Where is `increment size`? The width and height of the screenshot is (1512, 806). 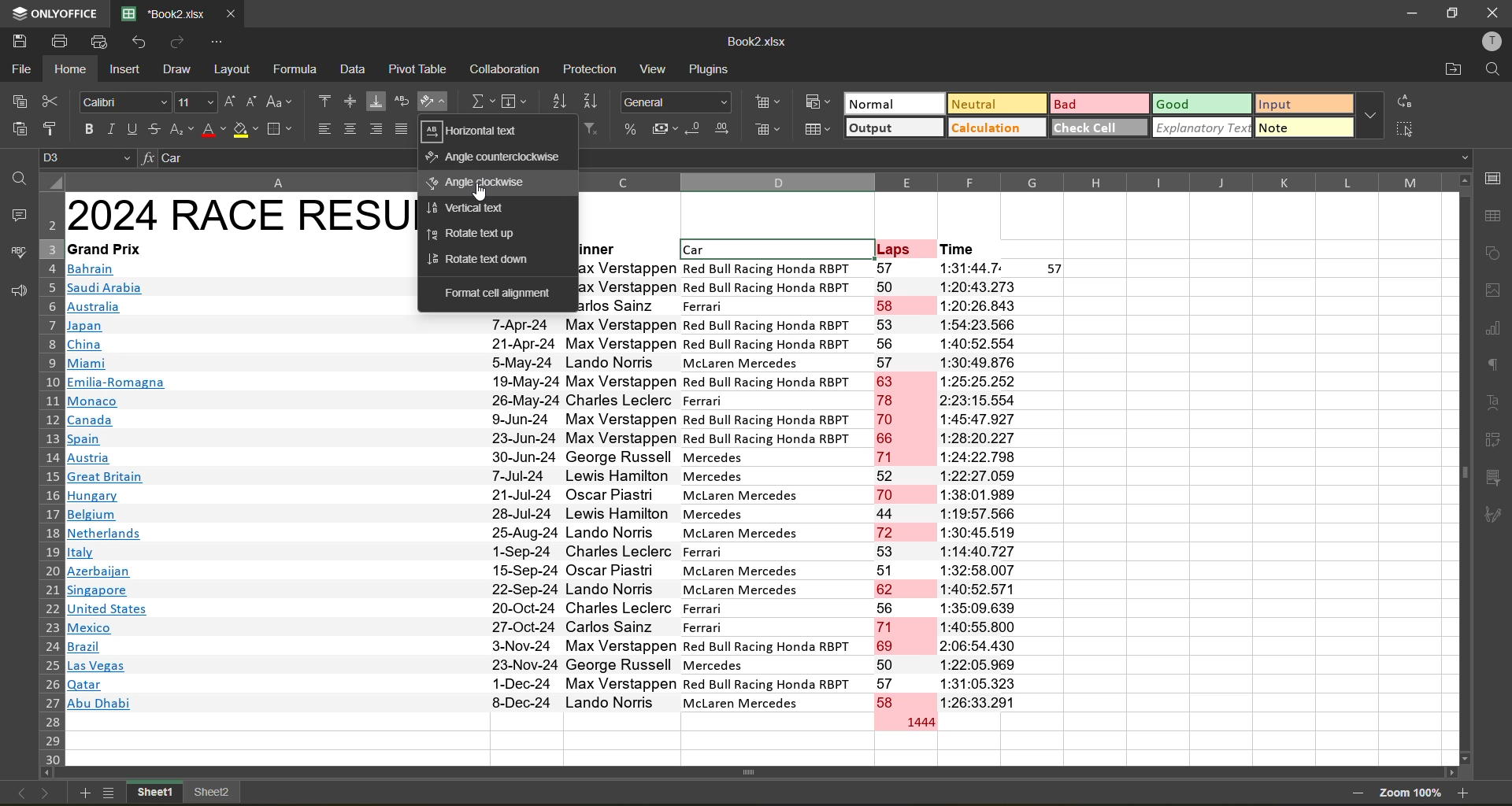 increment size is located at coordinates (232, 102).